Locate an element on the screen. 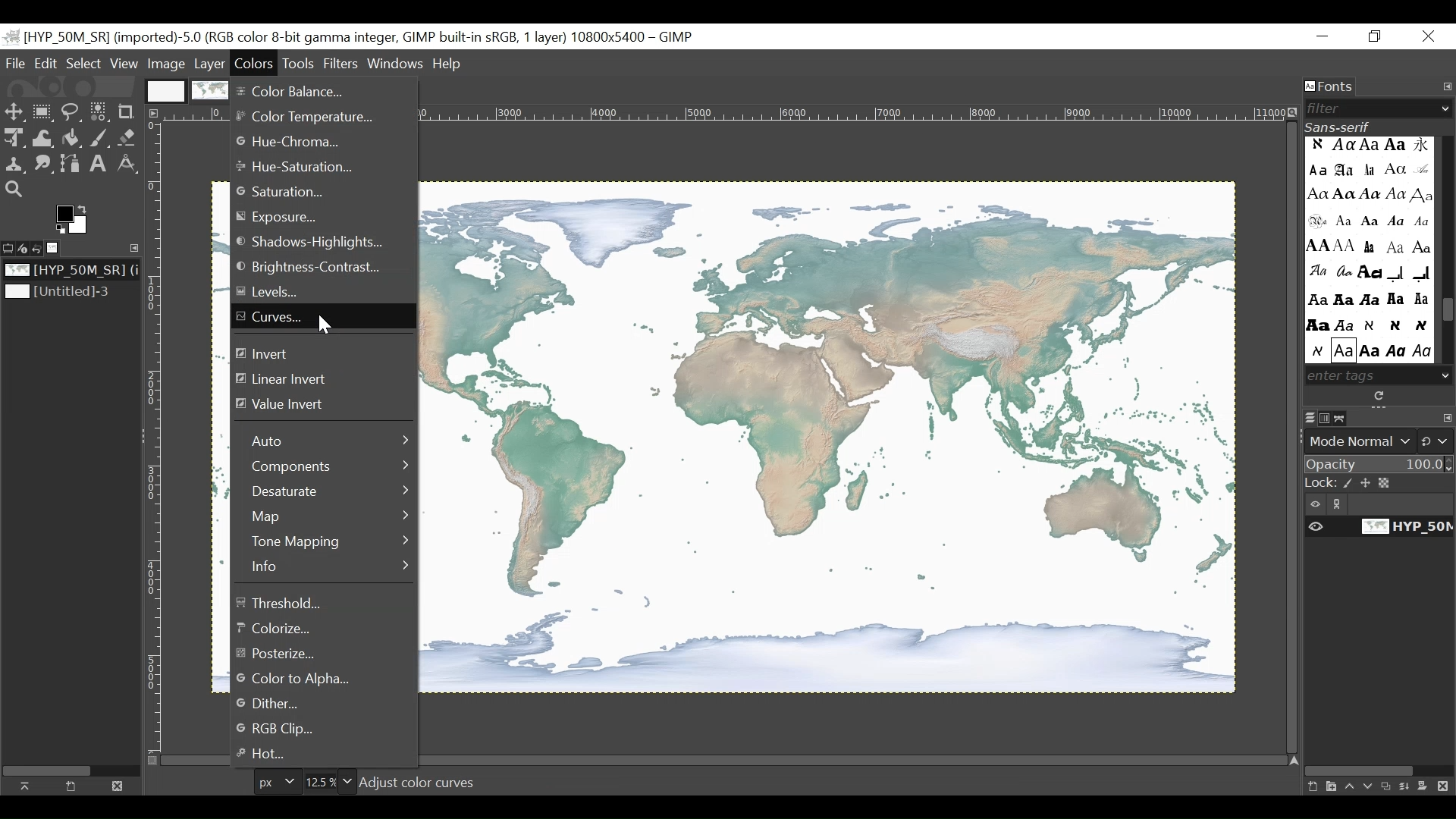  Help is located at coordinates (447, 65).